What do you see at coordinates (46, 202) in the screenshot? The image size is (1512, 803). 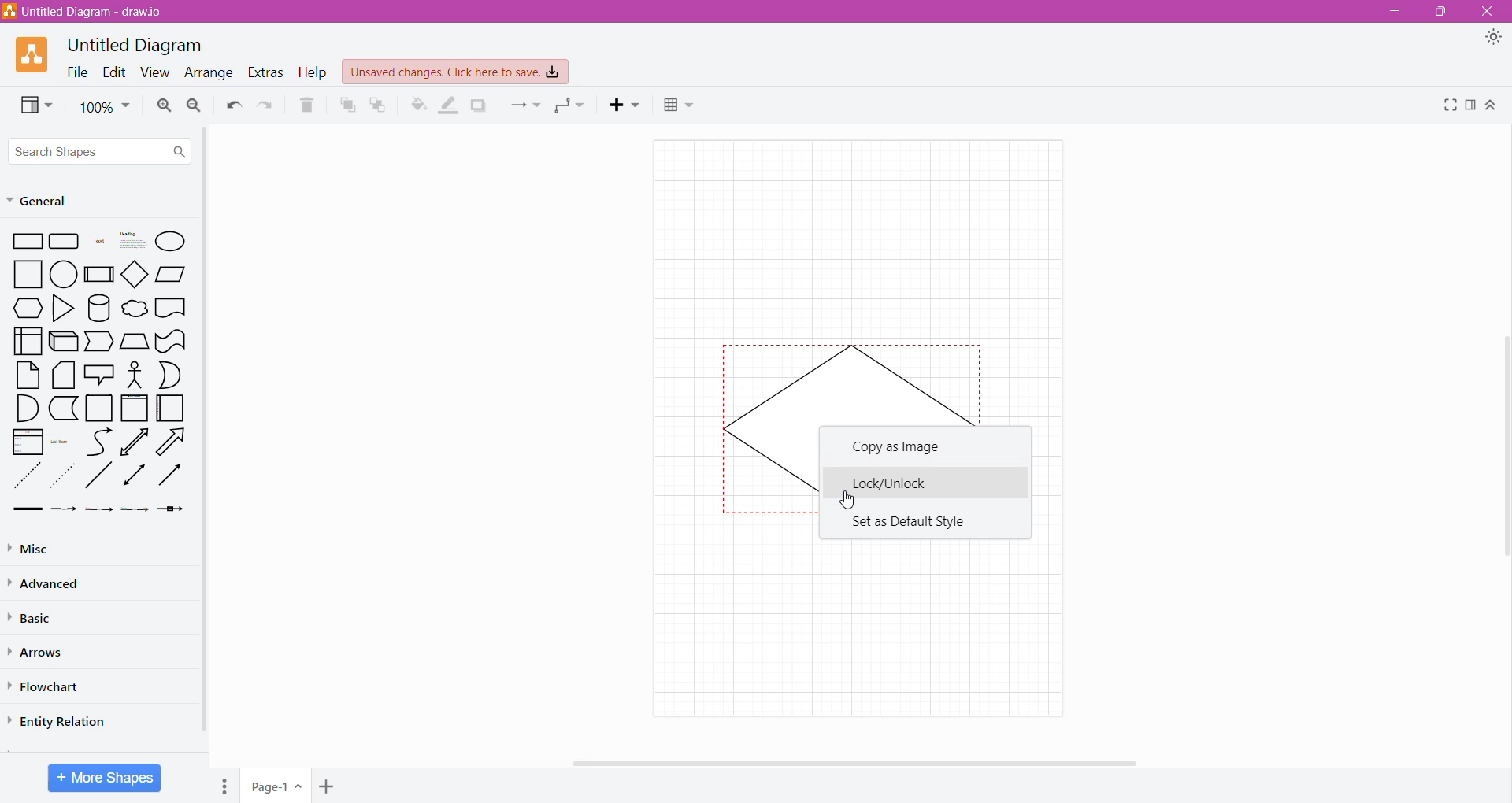 I see `General` at bounding box center [46, 202].